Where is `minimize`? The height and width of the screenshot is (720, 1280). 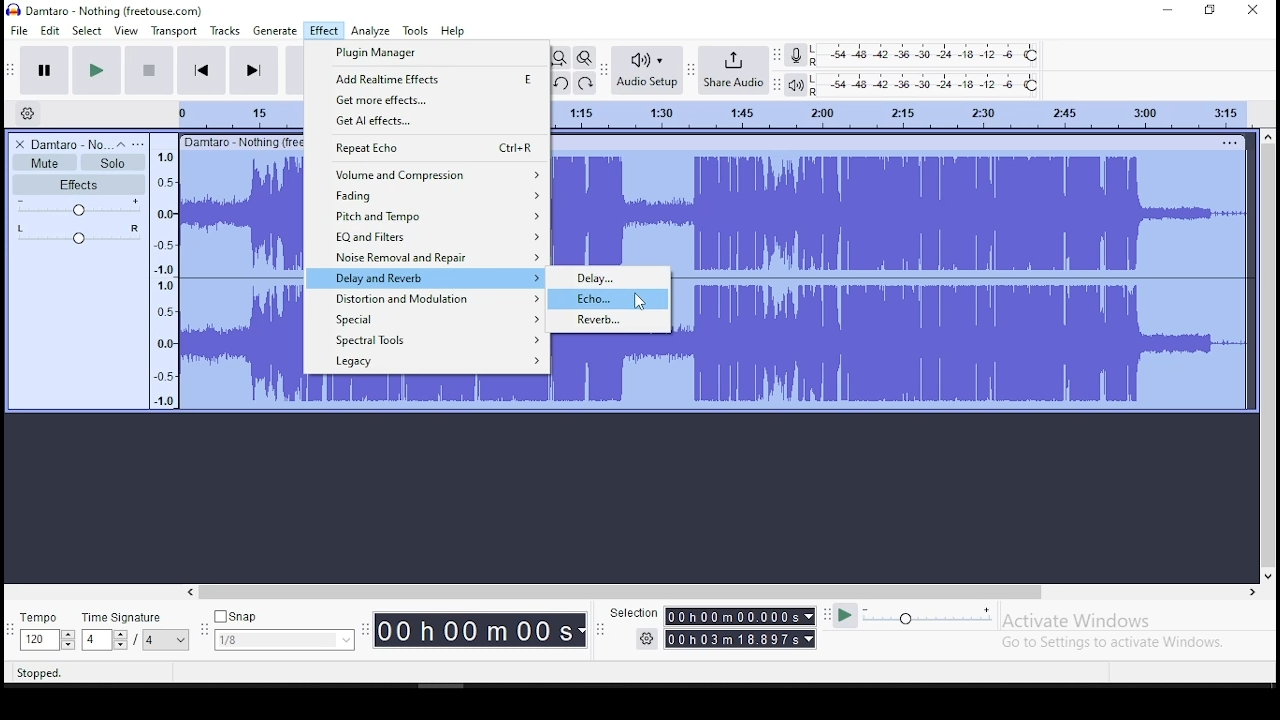
minimize is located at coordinates (1168, 10).